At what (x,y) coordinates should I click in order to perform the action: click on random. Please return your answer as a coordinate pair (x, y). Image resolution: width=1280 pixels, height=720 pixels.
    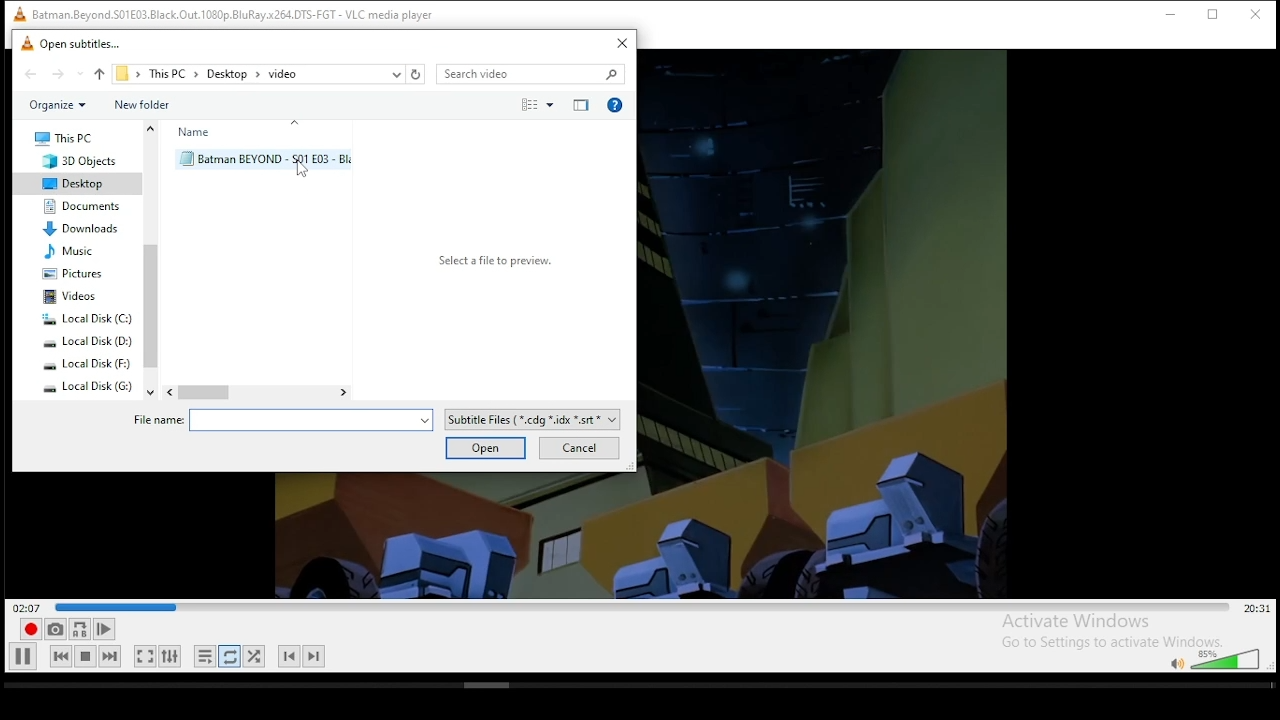
    Looking at the image, I should click on (254, 656).